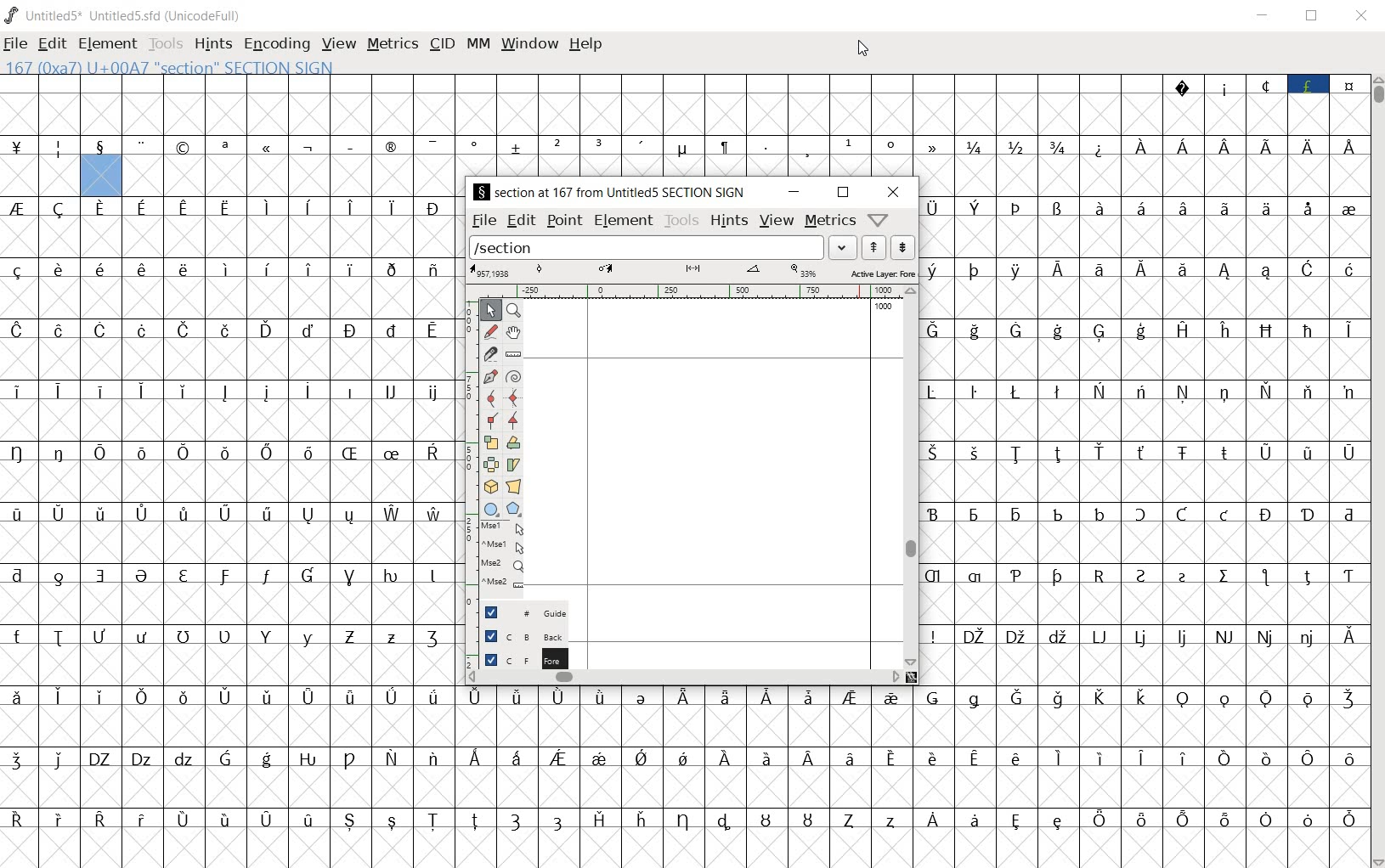 This screenshot has height=868, width=1385. I want to click on 167 (0xA7) U+00A7 "SECTION" SECTION SIGN, so click(225, 67).